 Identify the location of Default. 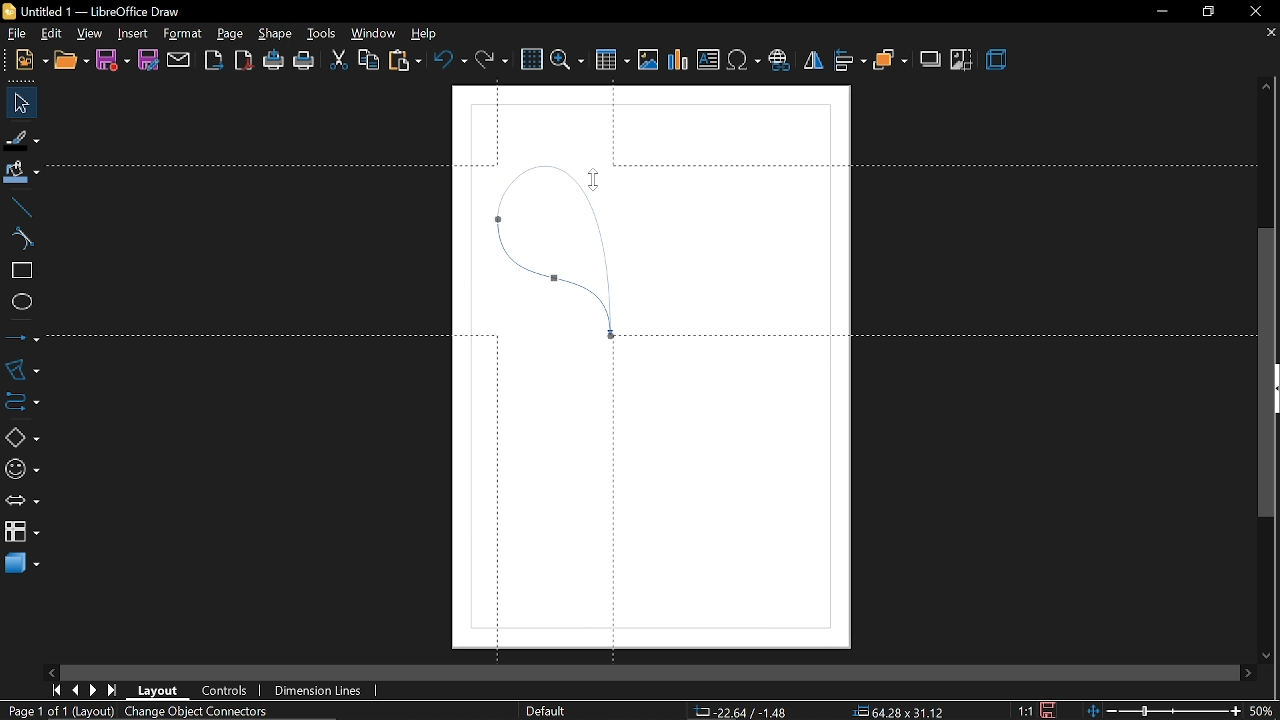
(546, 712).